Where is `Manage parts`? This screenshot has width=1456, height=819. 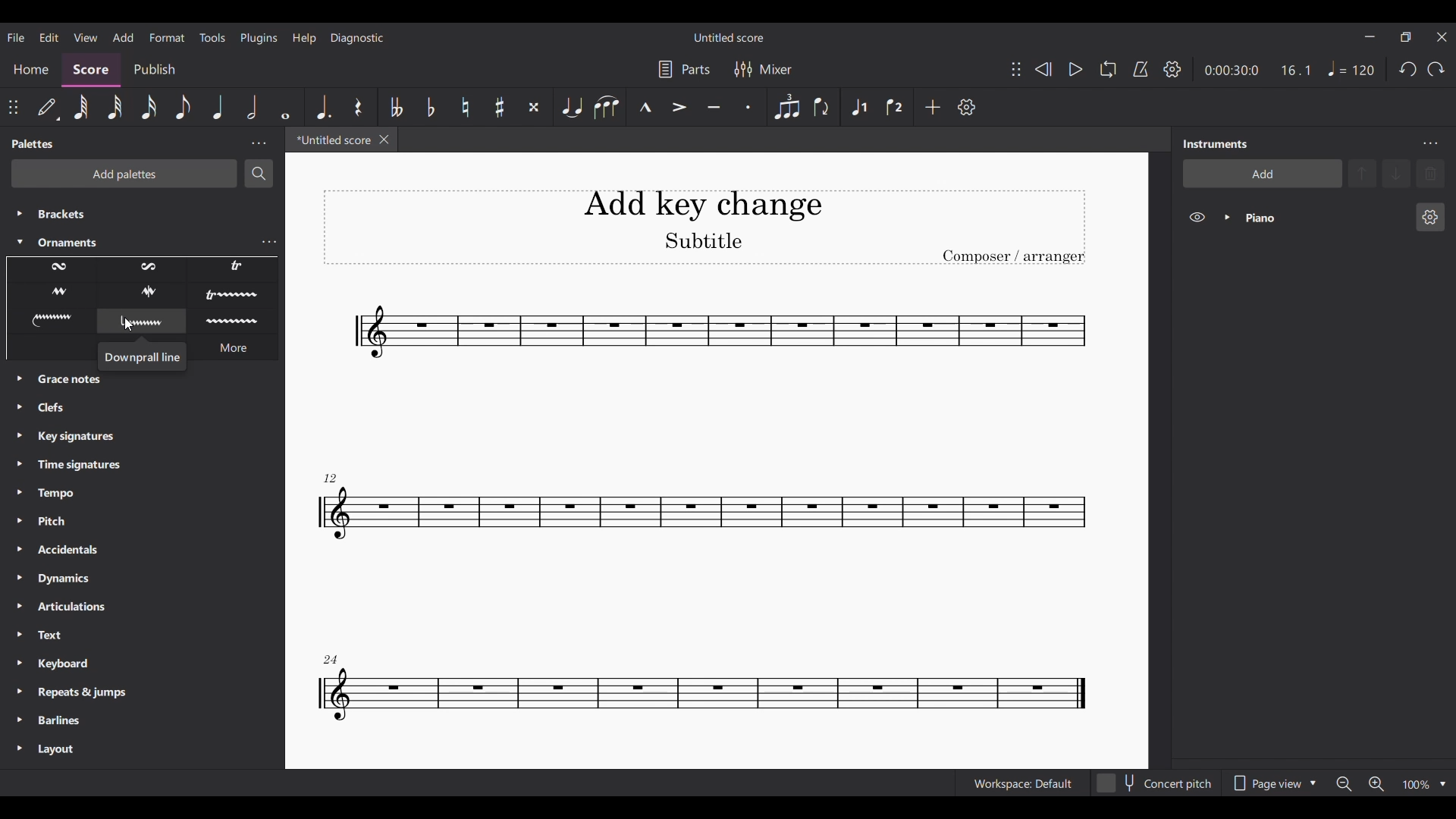 Manage parts is located at coordinates (685, 70).